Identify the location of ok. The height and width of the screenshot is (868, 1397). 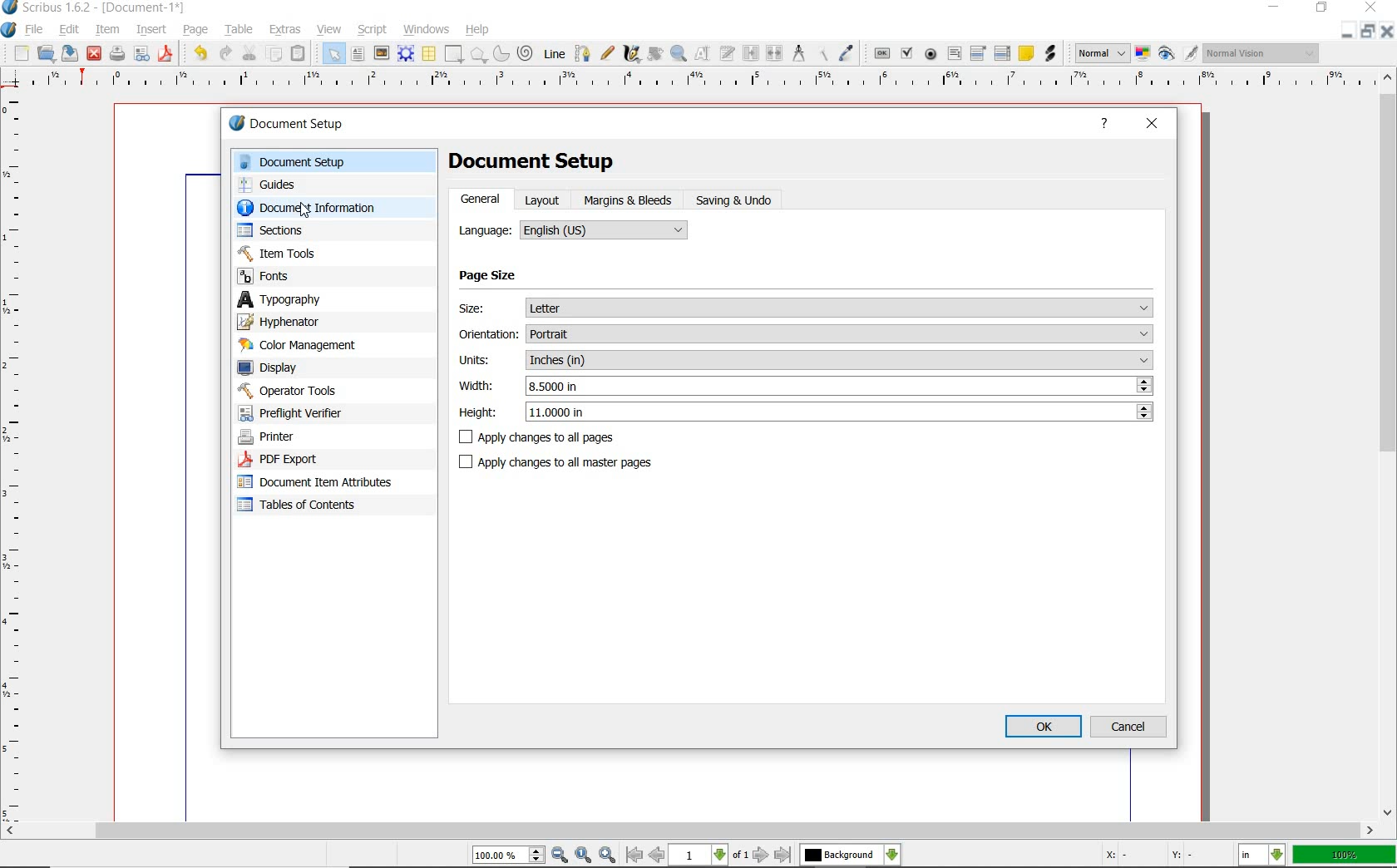
(1043, 726).